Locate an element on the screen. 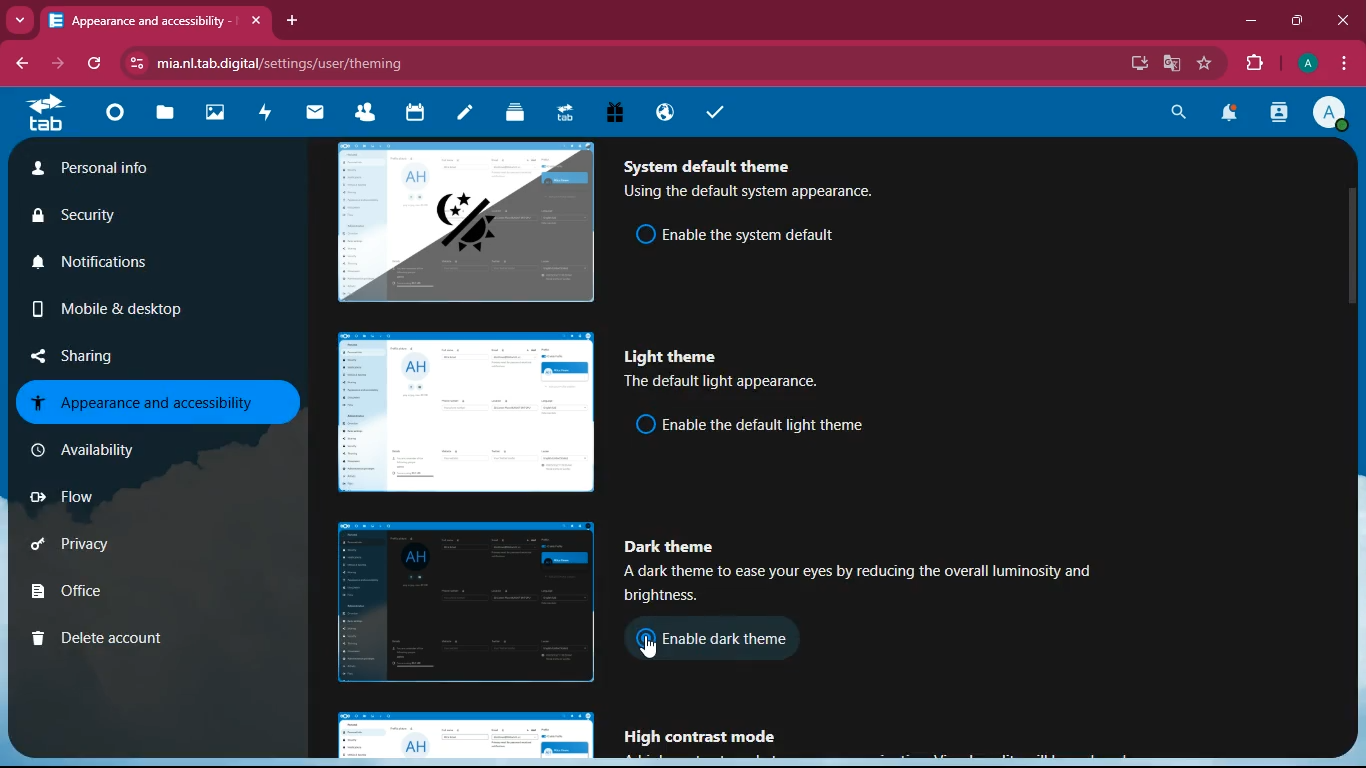 The image size is (1366, 768). activity is located at coordinates (266, 112).